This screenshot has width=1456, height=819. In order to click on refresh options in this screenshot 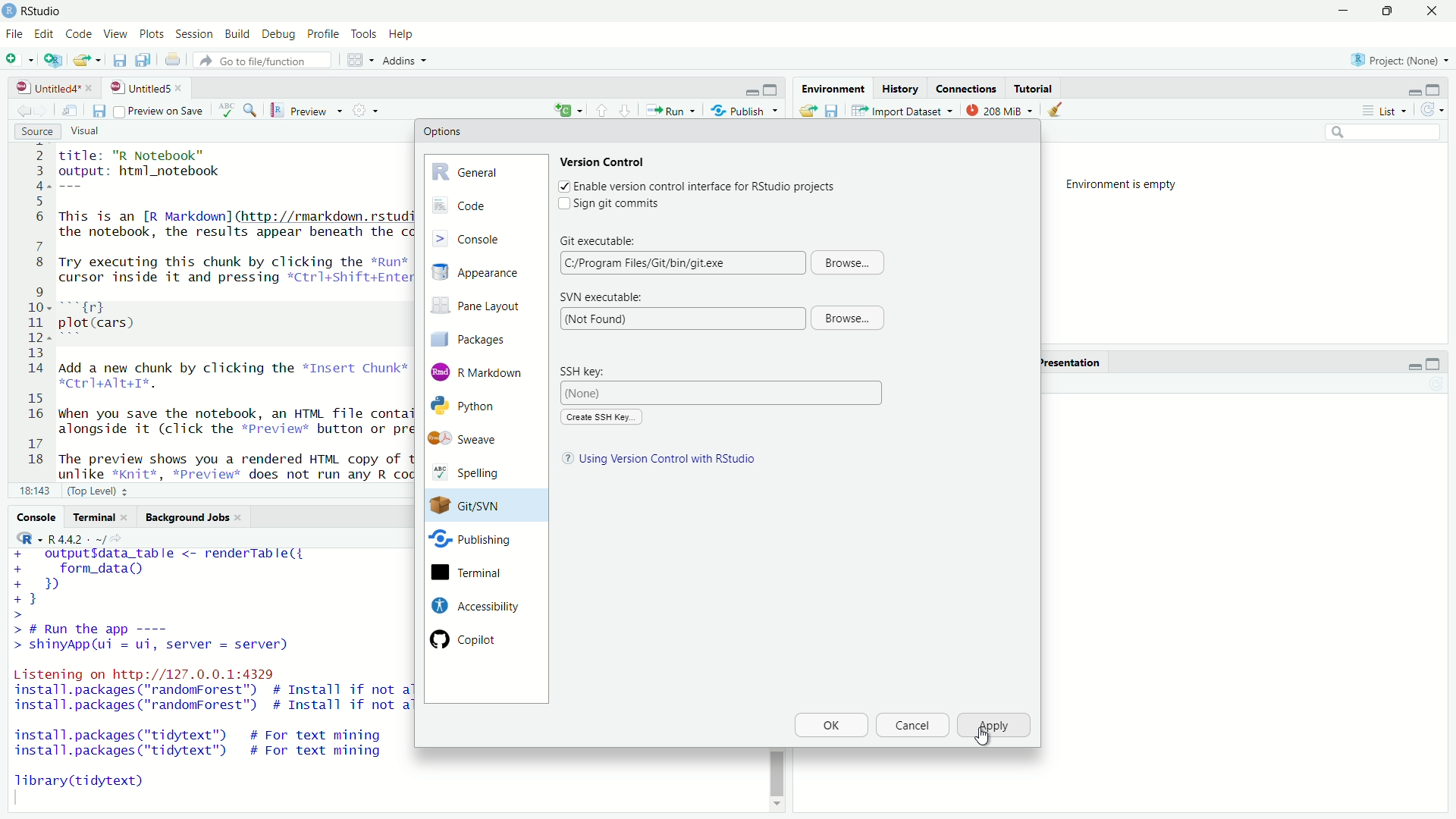, I will do `click(1433, 110)`.